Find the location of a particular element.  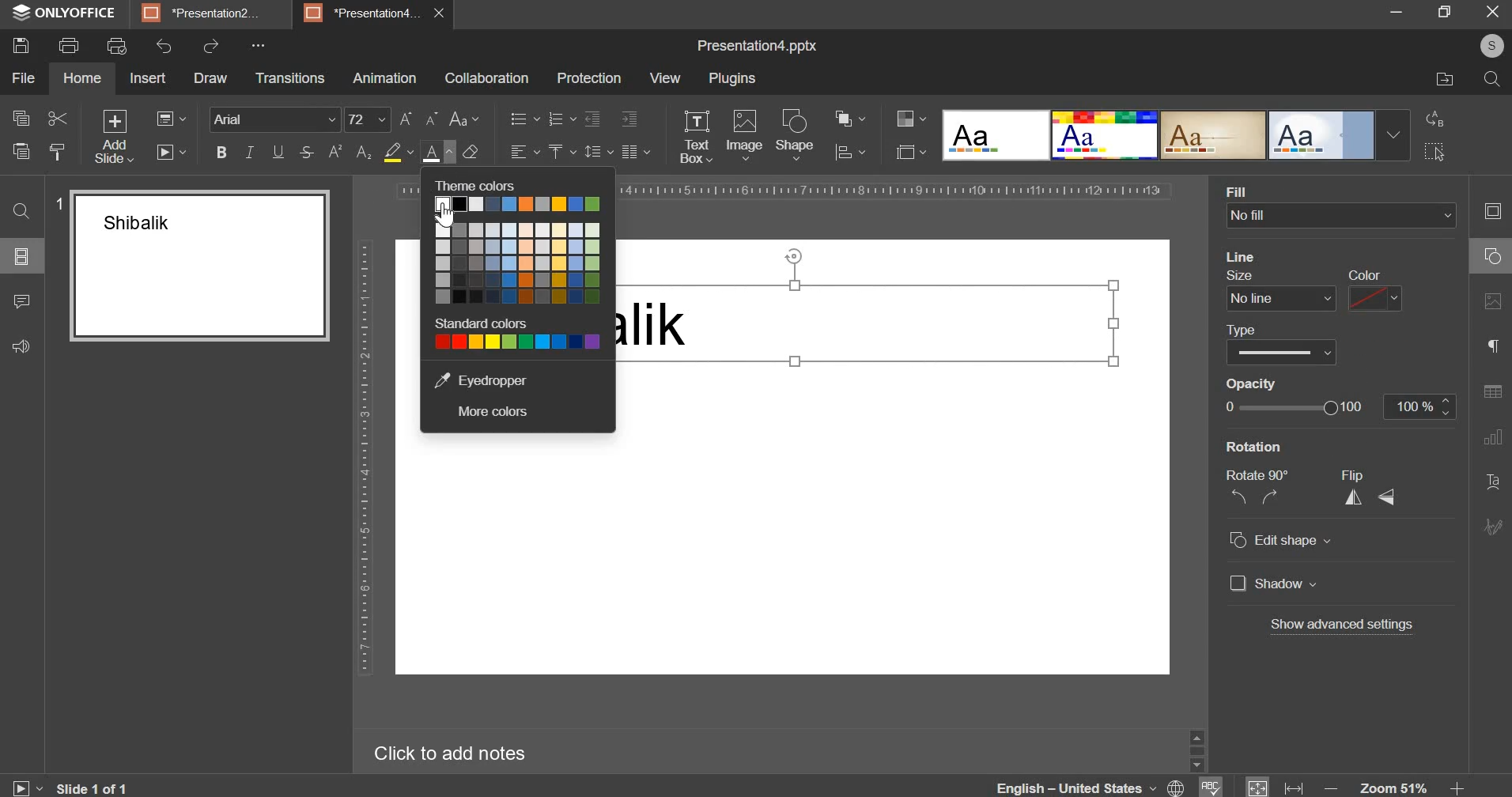

select all is located at coordinates (1437, 152).